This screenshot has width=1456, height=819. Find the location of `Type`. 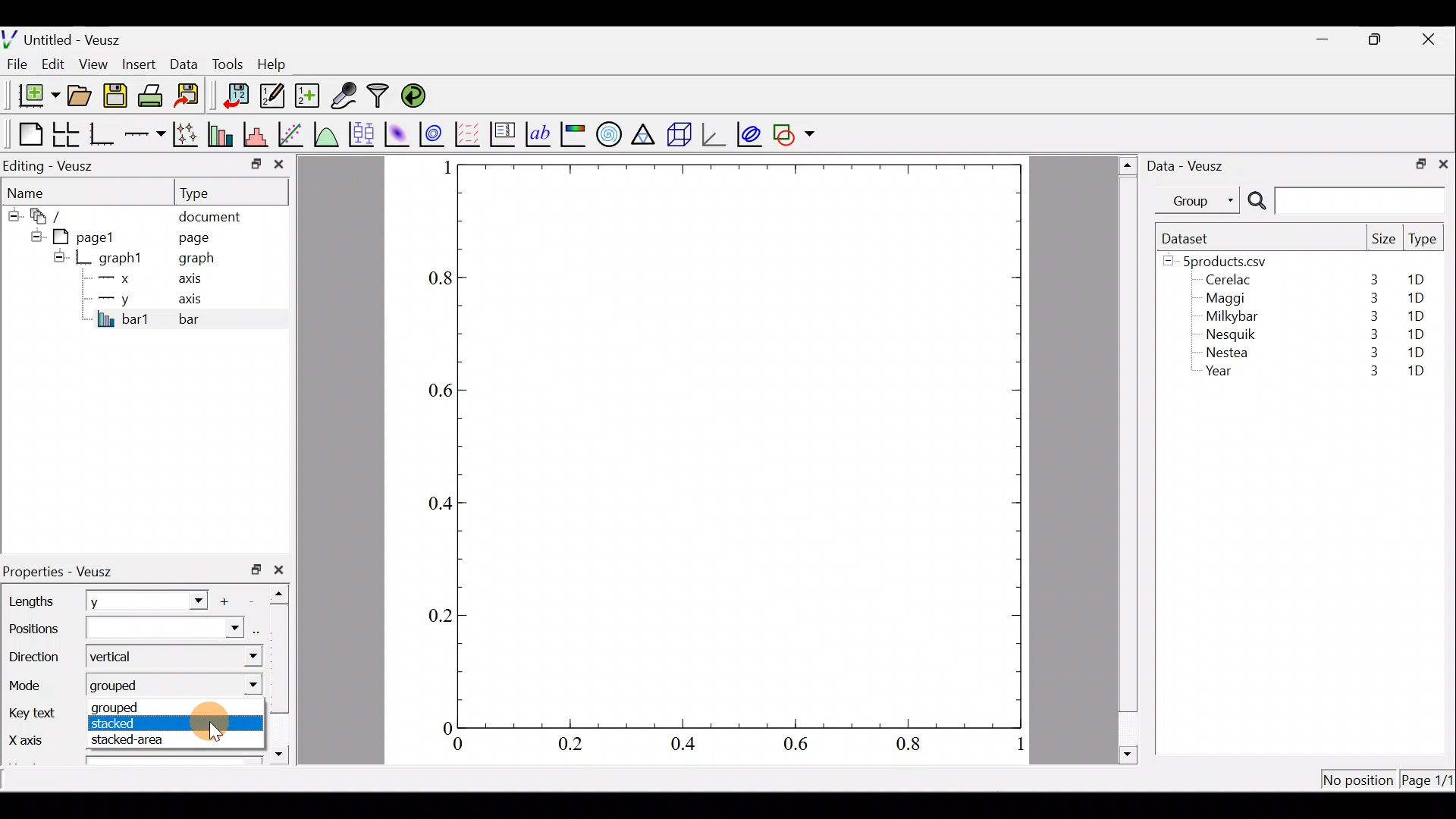

Type is located at coordinates (209, 192).